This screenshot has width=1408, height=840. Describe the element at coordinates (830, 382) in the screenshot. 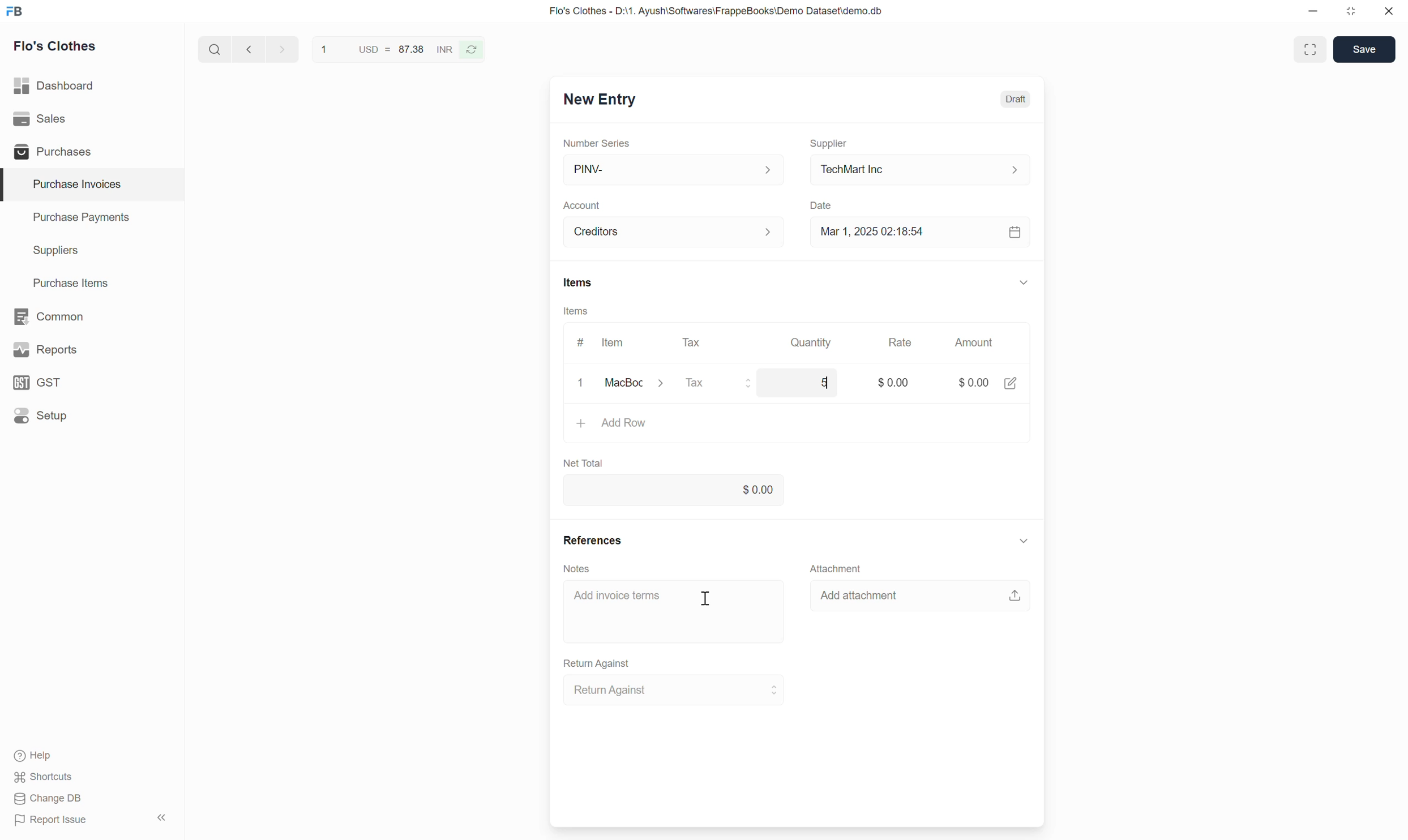

I see `cursor` at that location.